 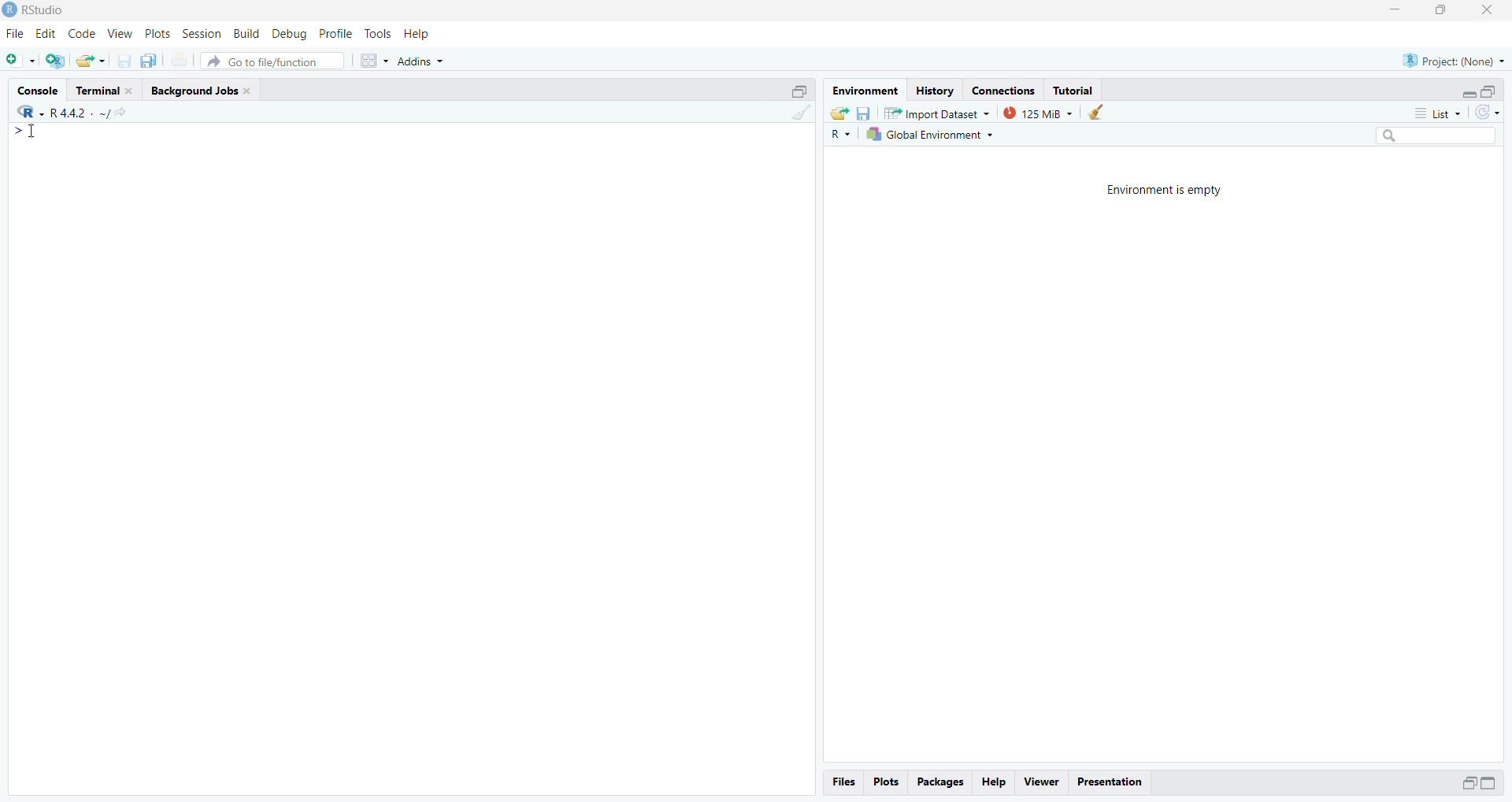 What do you see at coordinates (839, 113) in the screenshot?
I see `load workspace` at bounding box center [839, 113].